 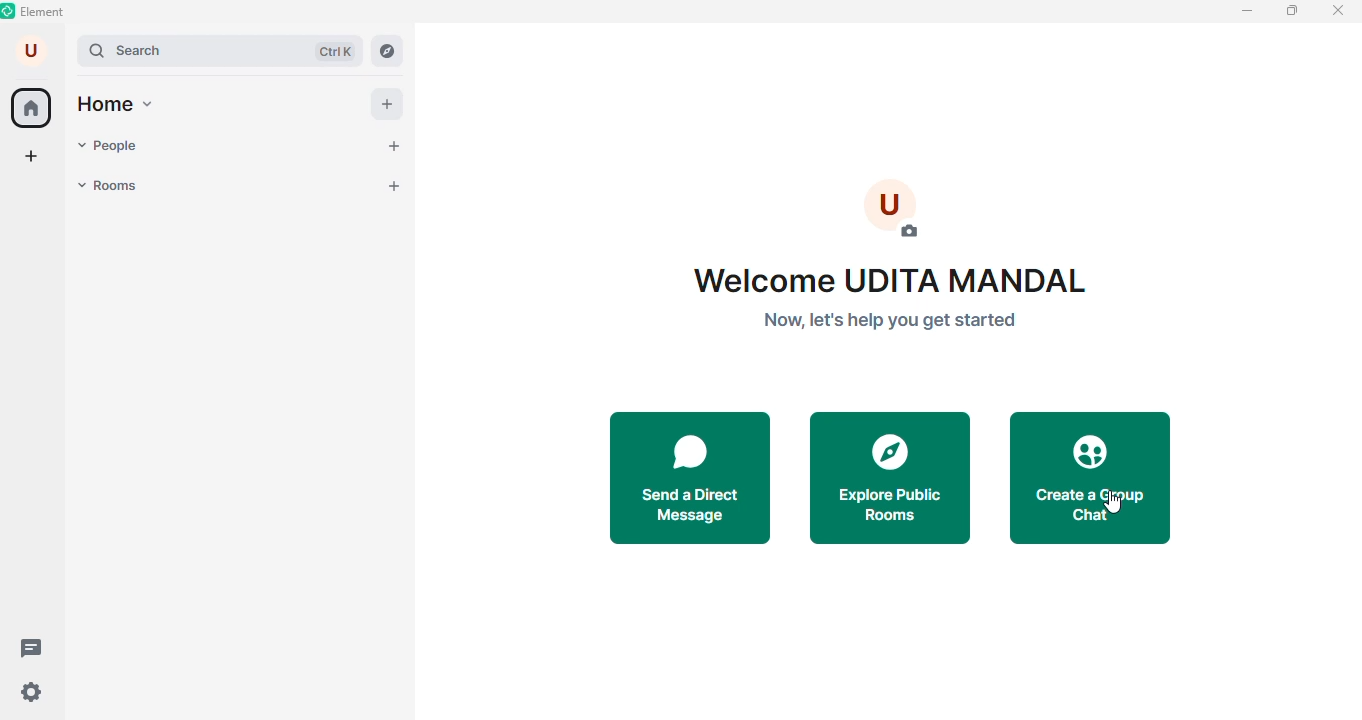 I want to click on threads, so click(x=32, y=647).